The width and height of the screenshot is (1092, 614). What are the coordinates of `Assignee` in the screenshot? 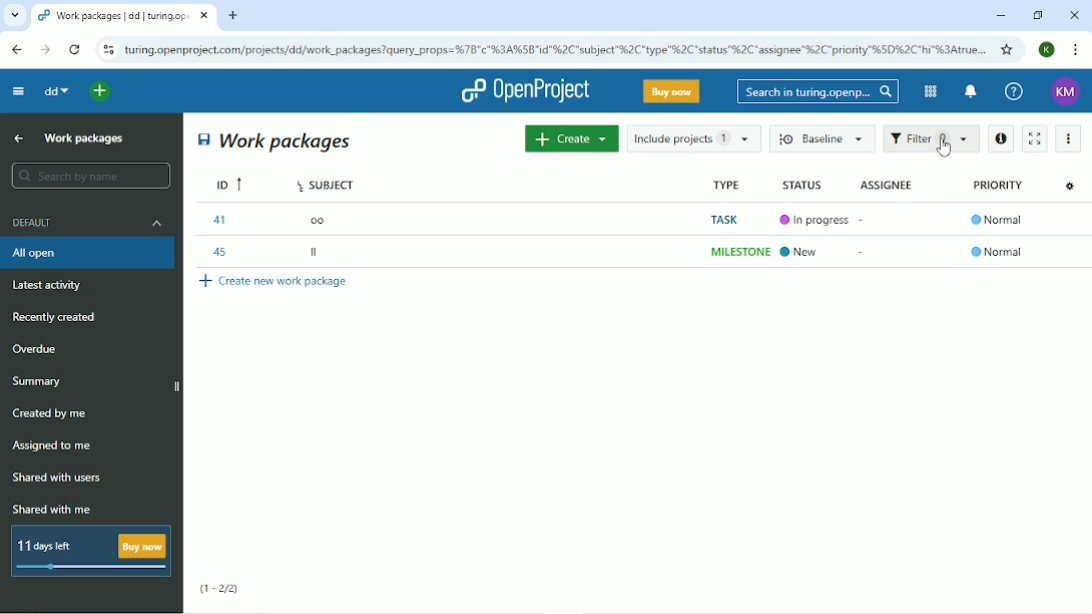 It's located at (886, 183).